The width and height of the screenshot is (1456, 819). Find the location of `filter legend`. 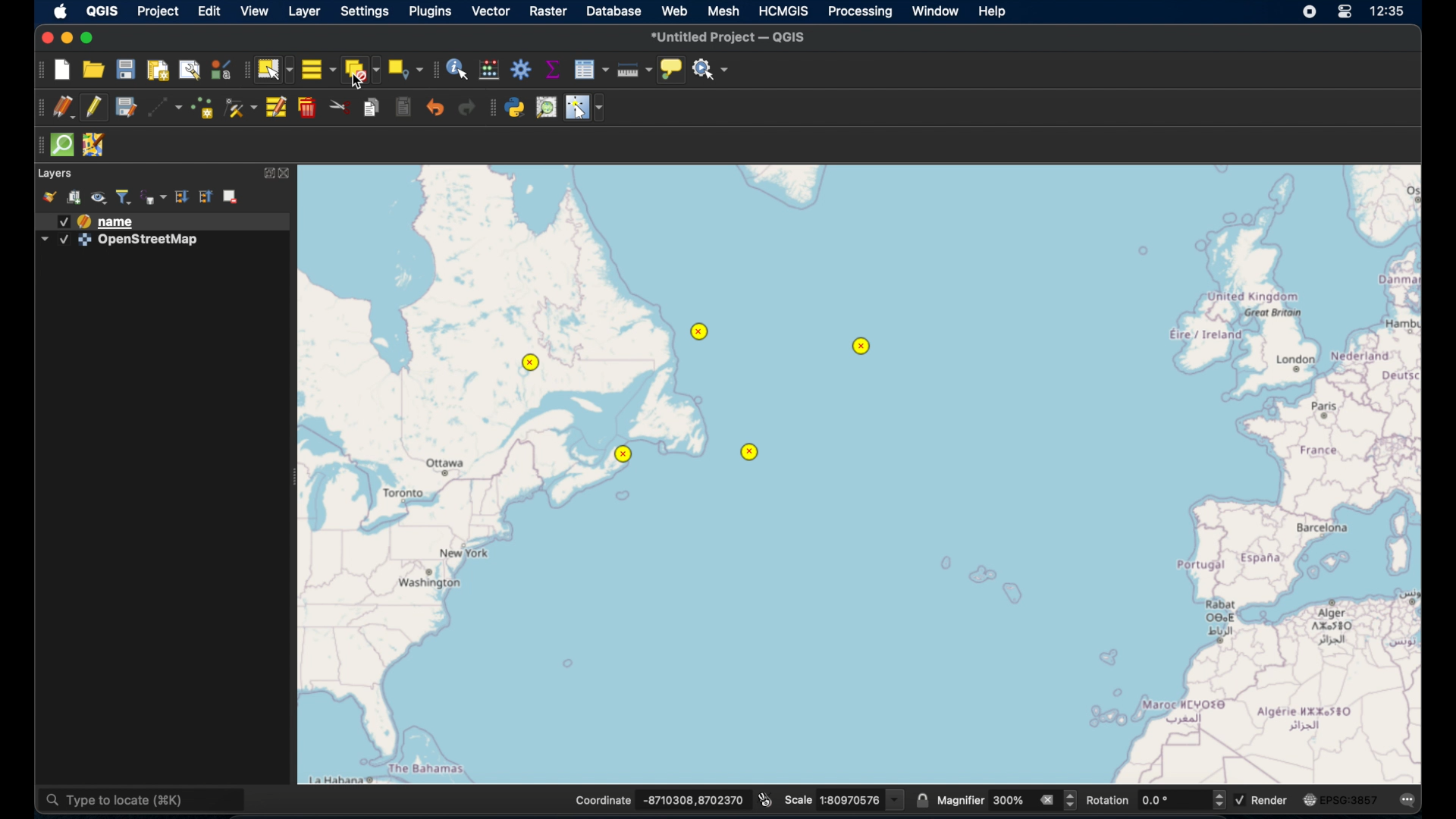

filter legend is located at coordinates (124, 197).